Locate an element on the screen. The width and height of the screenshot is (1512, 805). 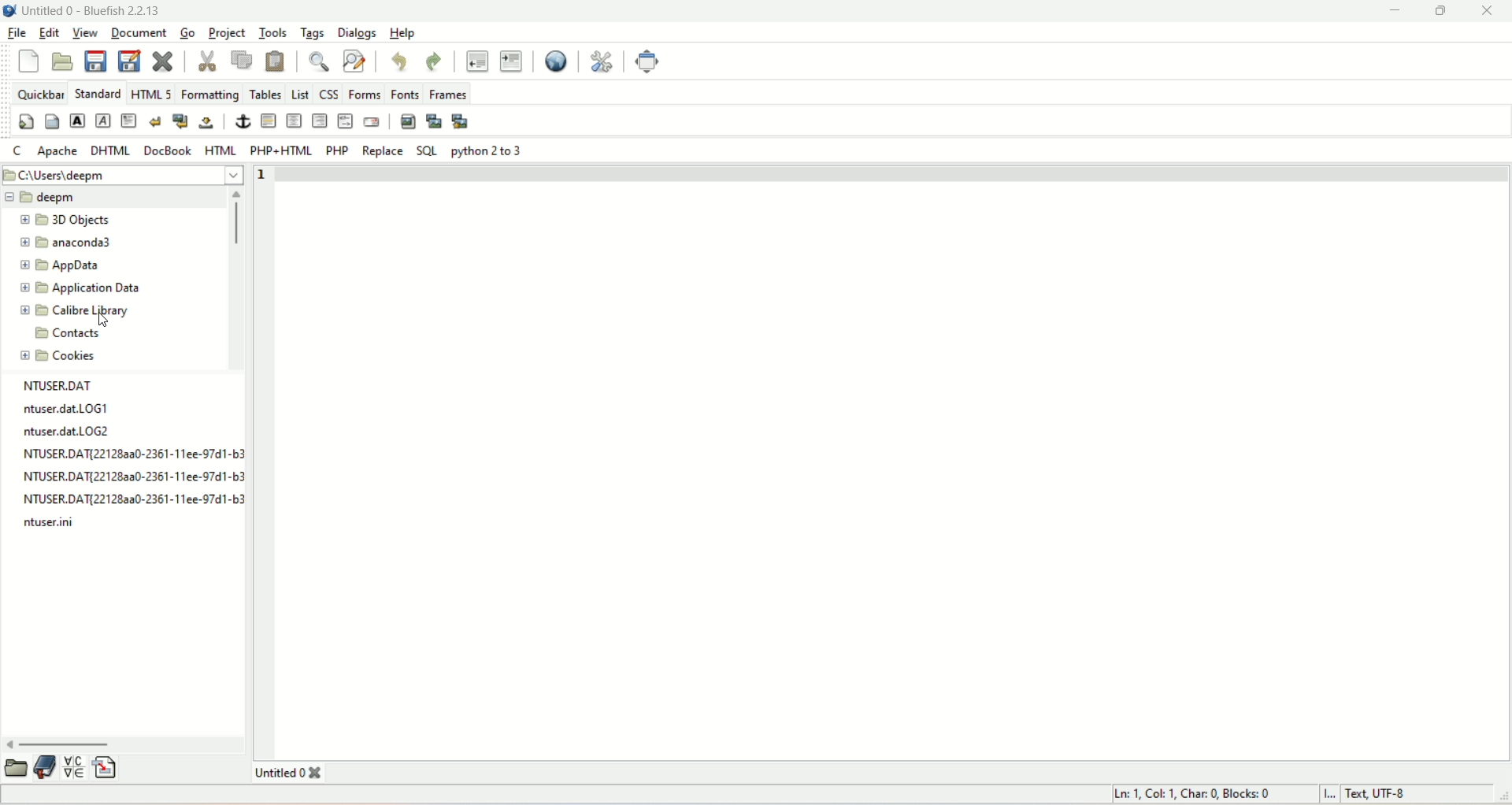
calibre is located at coordinates (78, 310).